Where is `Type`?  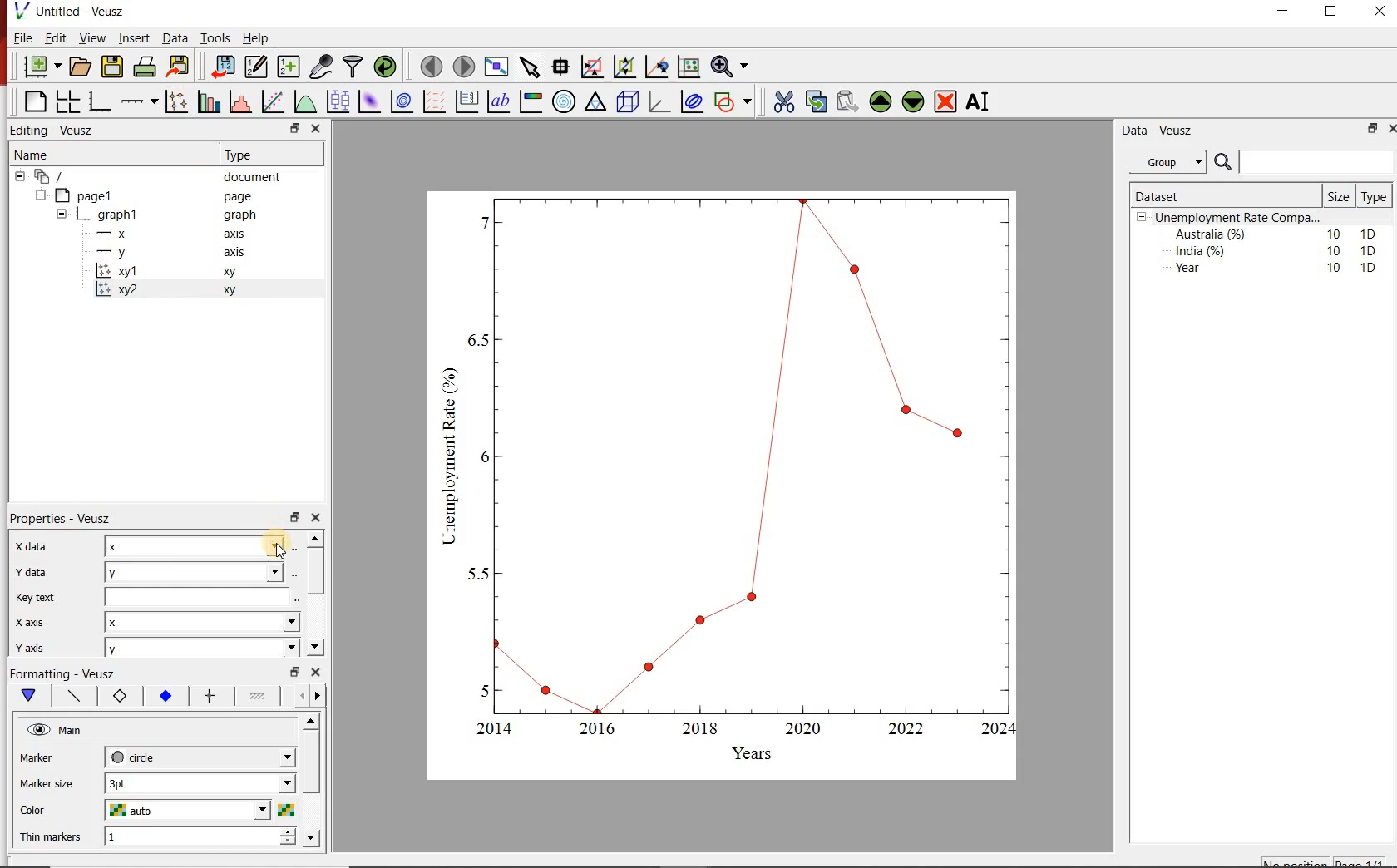 Type is located at coordinates (1373, 197).